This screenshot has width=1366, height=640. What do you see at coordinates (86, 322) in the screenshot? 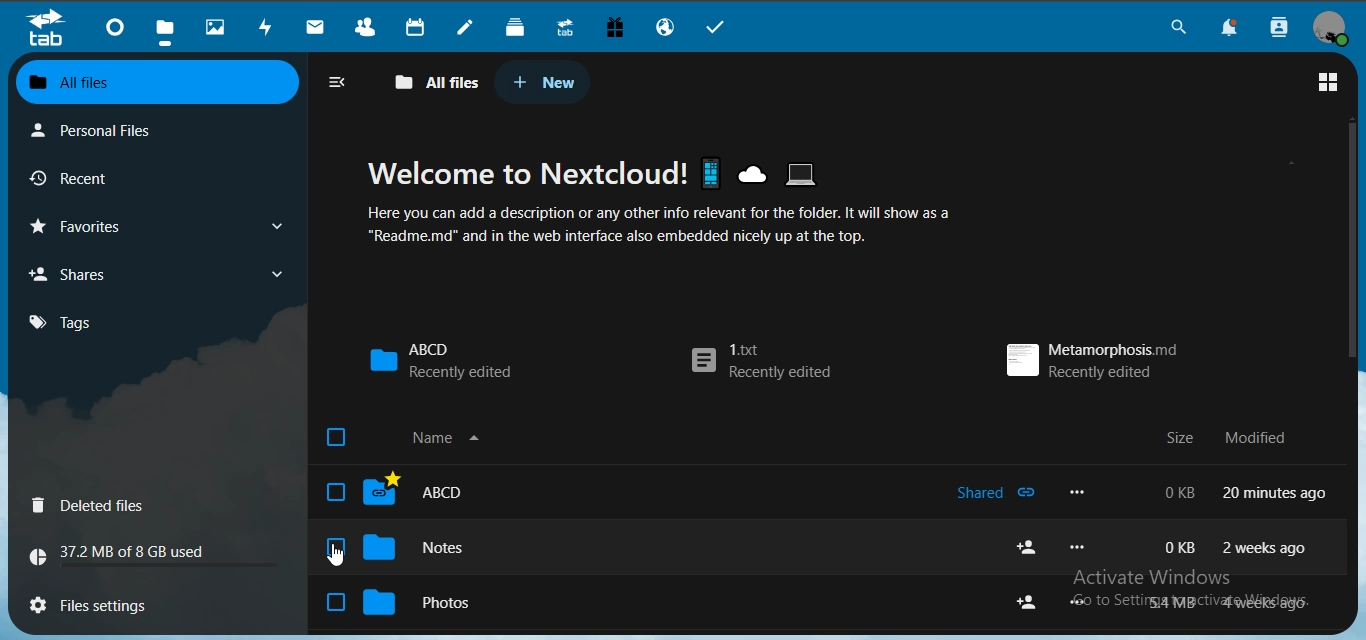
I see `tags` at bounding box center [86, 322].